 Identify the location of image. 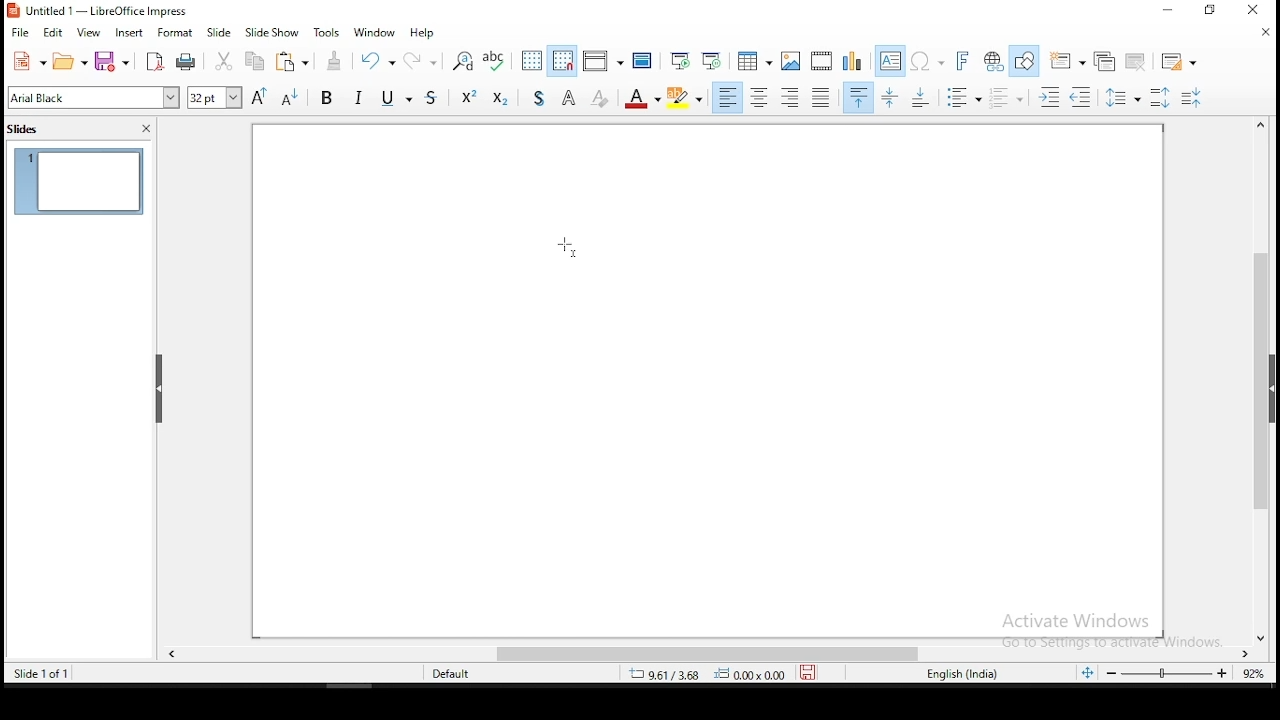
(792, 61).